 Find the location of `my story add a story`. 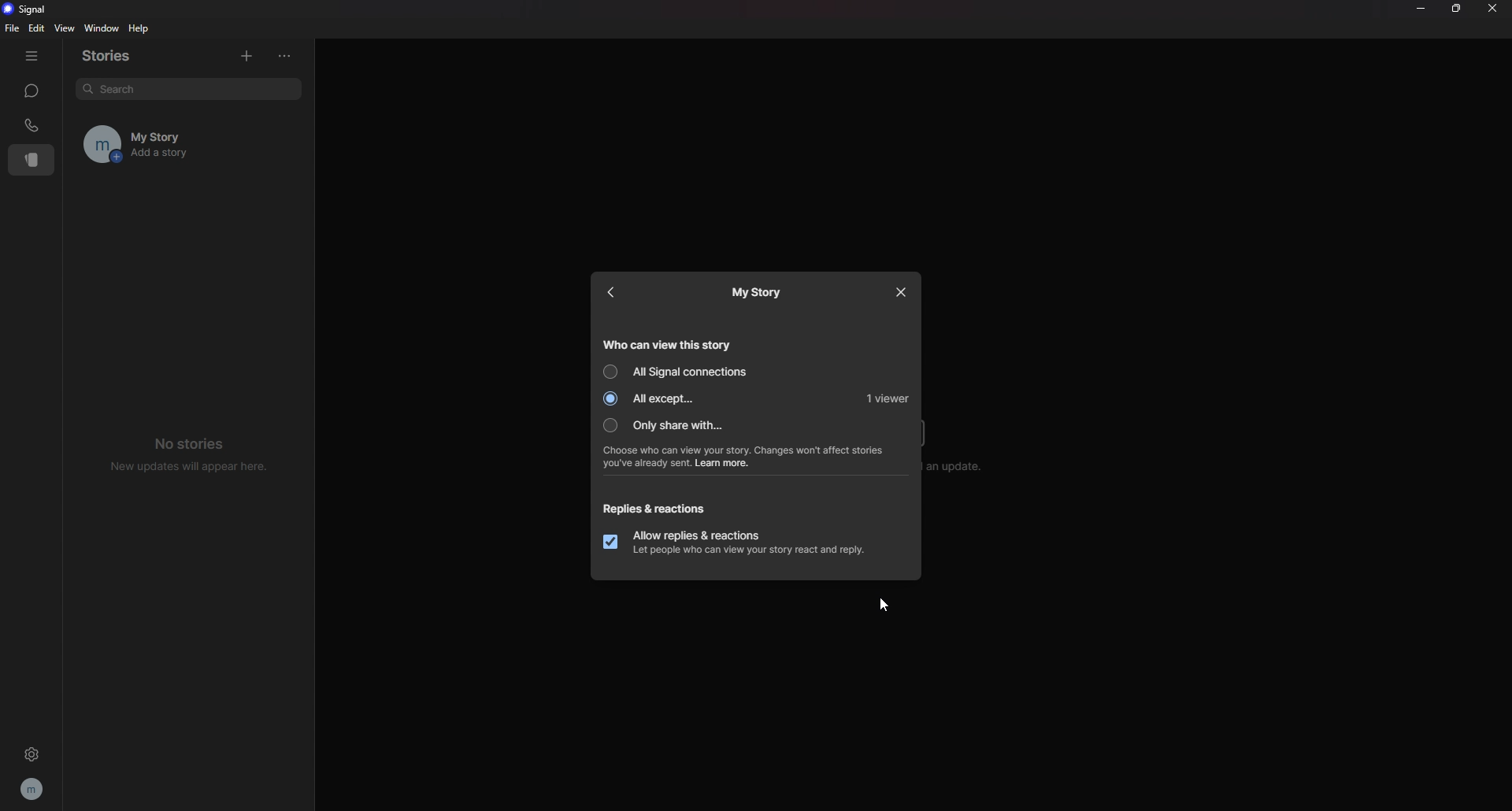

my story add a story is located at coordinates (168, 144).